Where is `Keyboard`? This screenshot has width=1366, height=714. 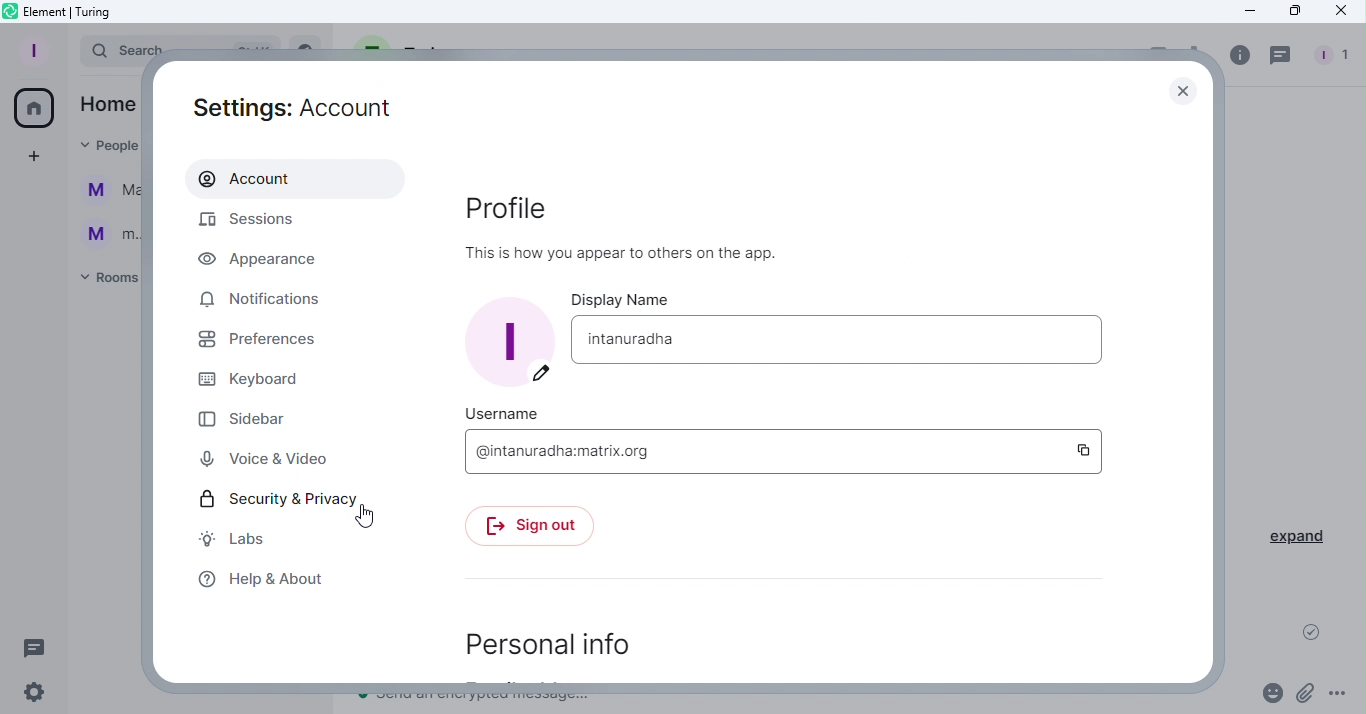
Keyboard is located at coordinates (258, 382).